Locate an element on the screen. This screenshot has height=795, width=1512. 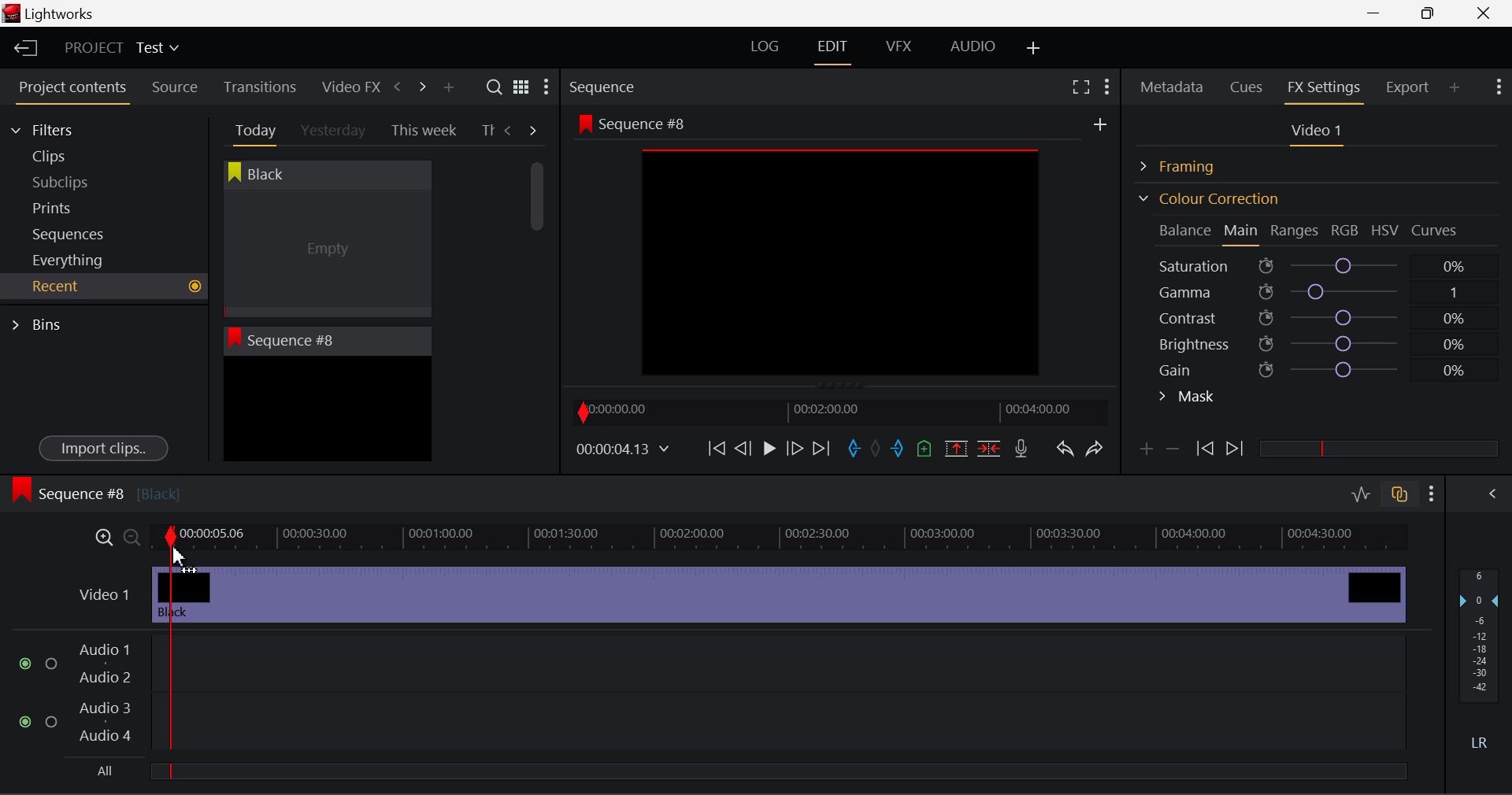
Window Title is located at coordinates (49, 15).